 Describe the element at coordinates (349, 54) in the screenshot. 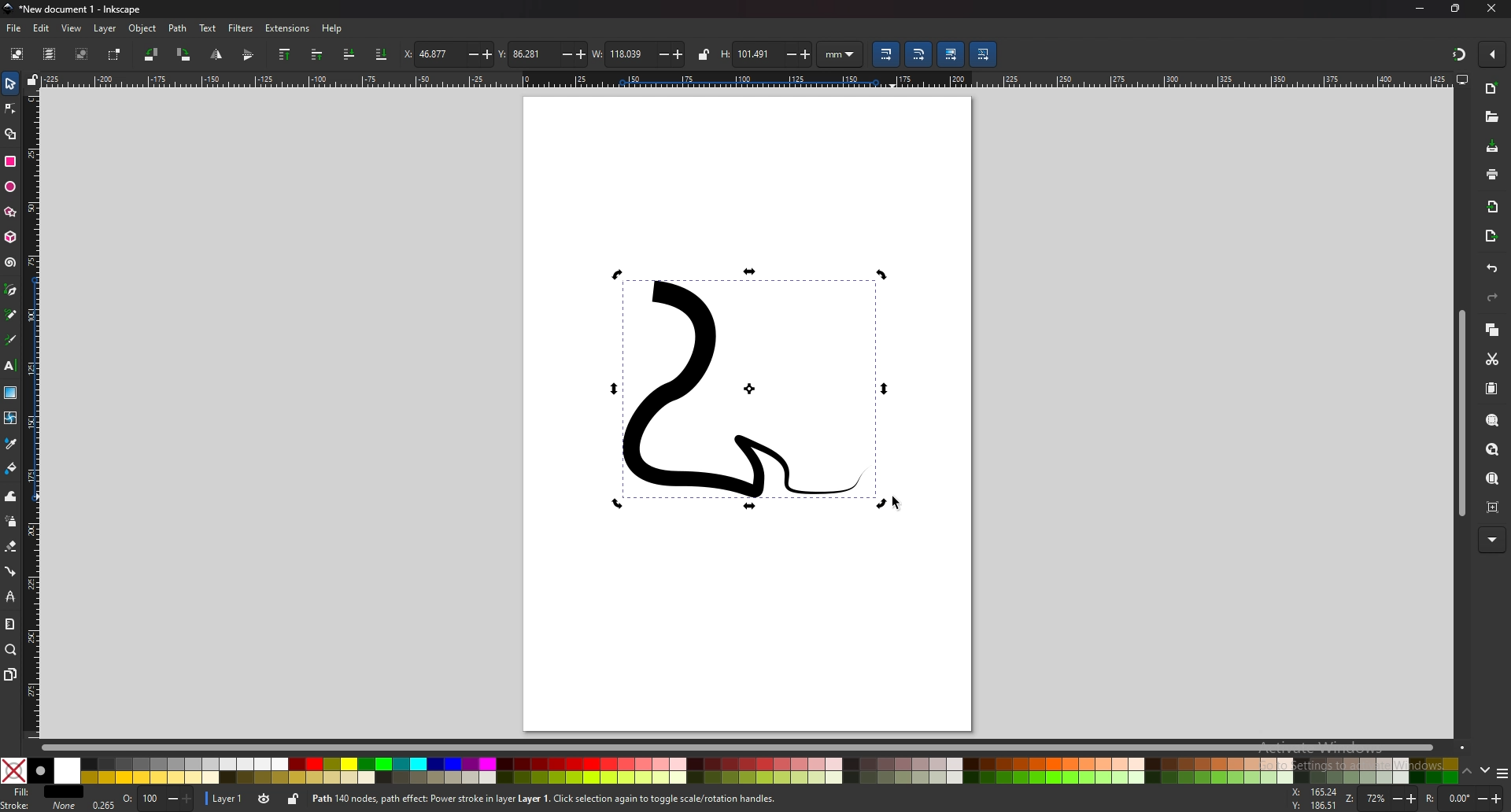

I see `lower selection one step` at that location.